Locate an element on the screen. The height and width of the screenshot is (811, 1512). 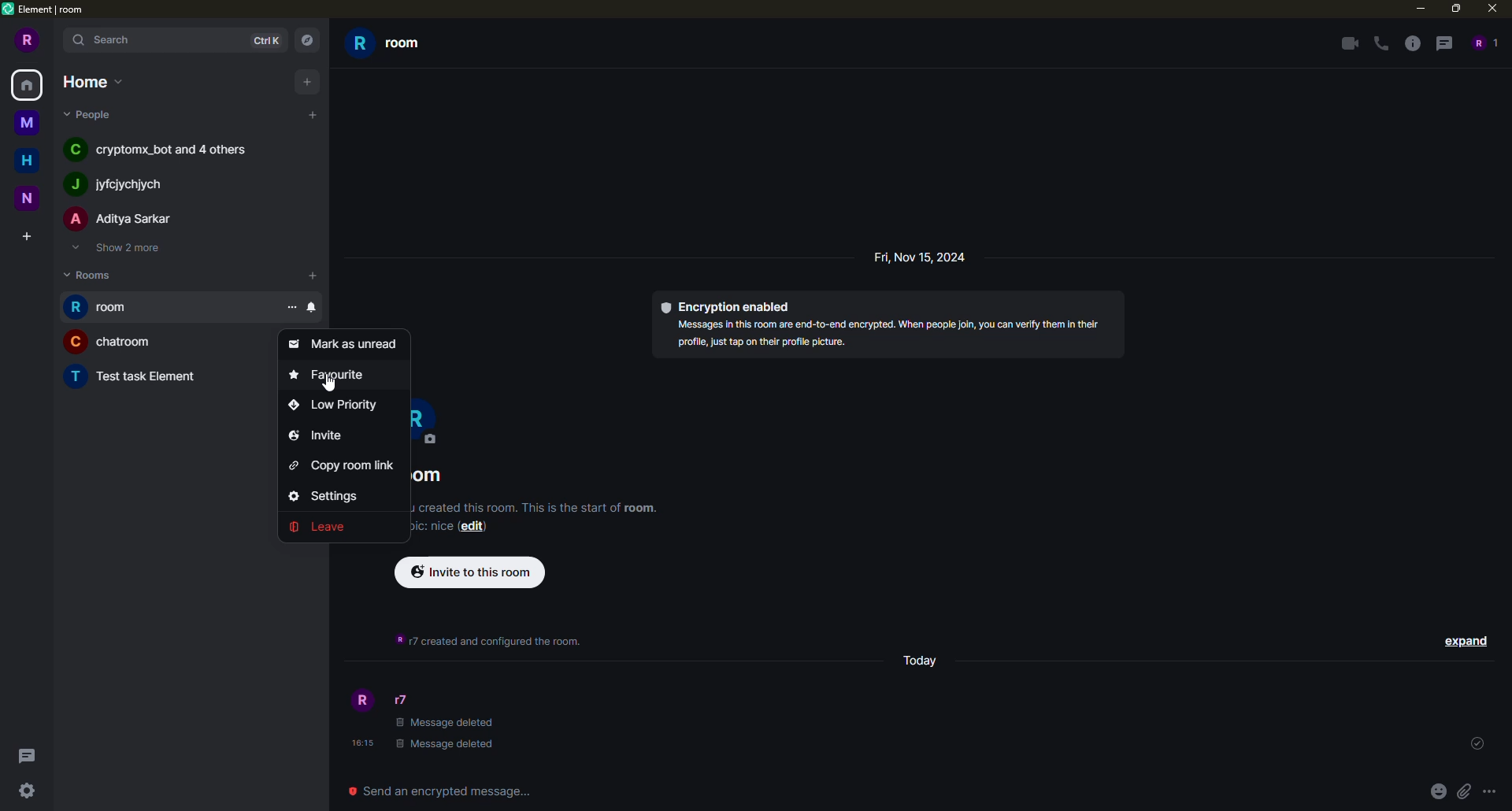
maximize is located at coordinates (1458, 9).